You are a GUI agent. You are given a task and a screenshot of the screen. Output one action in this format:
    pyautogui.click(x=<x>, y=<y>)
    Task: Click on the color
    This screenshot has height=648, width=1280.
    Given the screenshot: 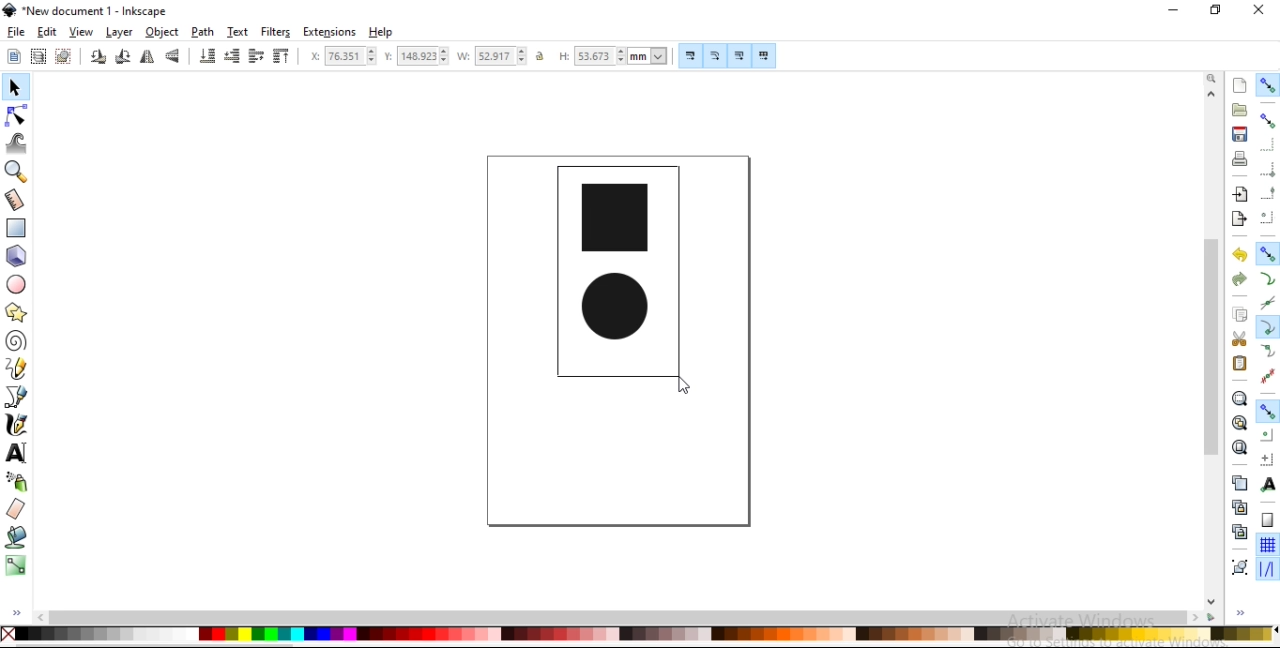 What is the action you would take?
    pyautogui.click(x=639, y=634)
    